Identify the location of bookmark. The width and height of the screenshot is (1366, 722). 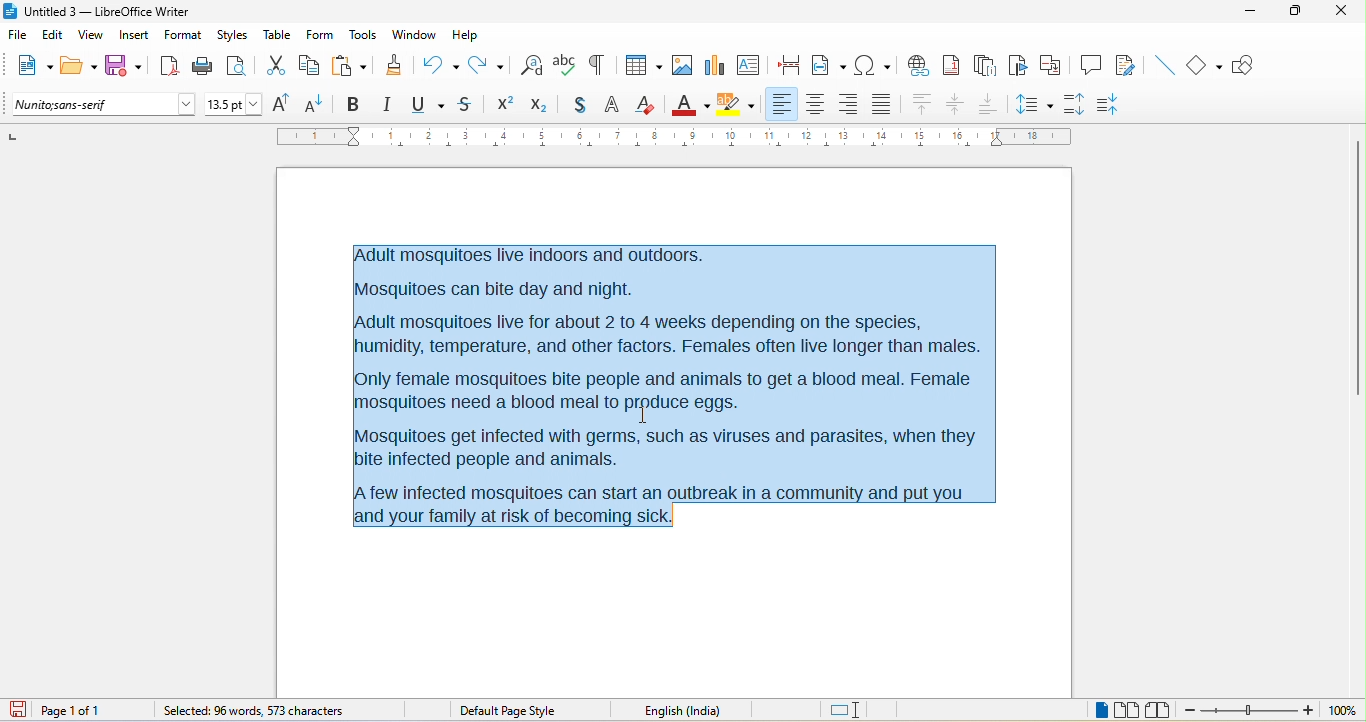
(1019, 66).